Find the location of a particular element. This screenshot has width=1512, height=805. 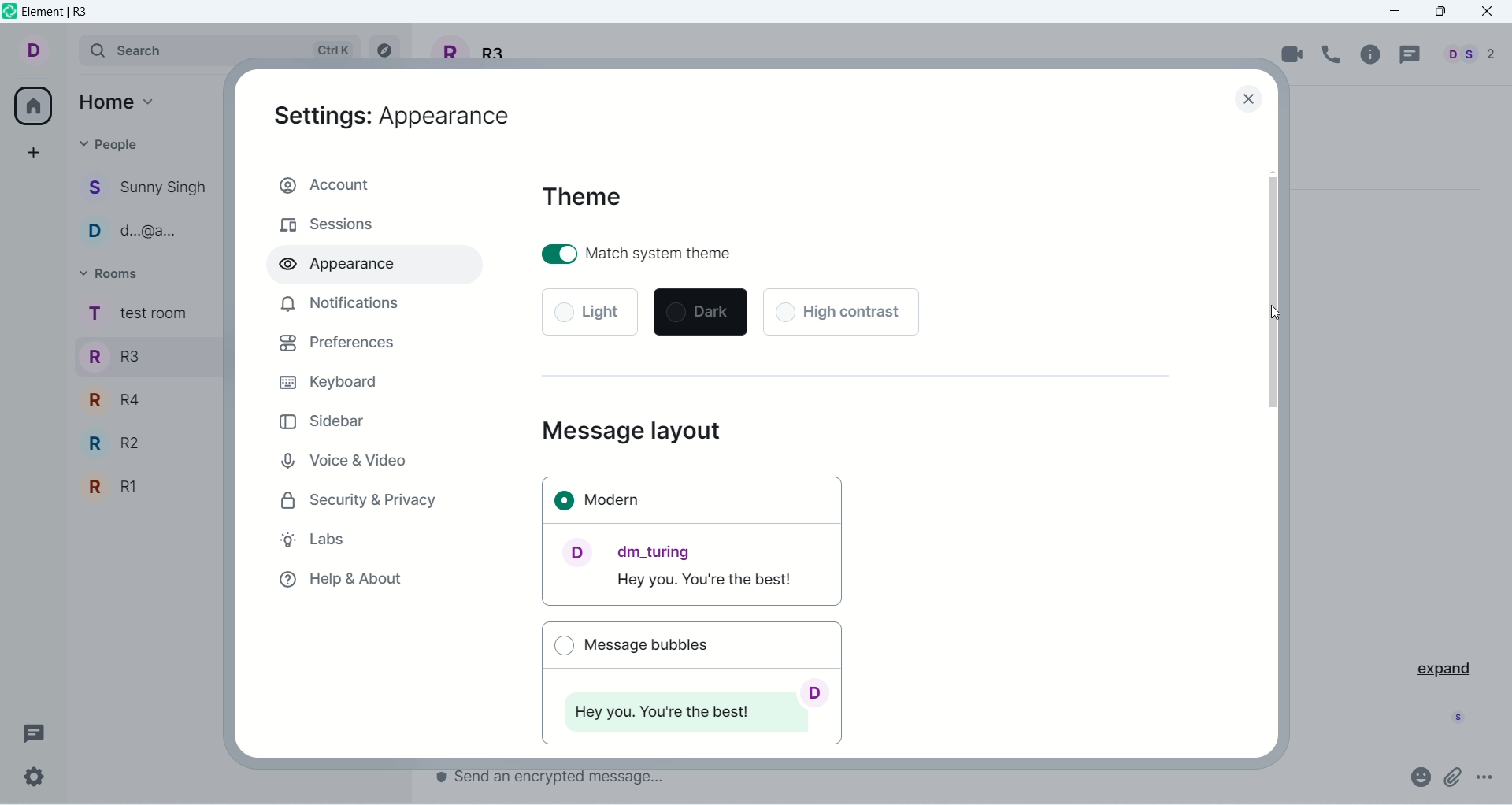

sidebar is located at coordinates (324, 421).